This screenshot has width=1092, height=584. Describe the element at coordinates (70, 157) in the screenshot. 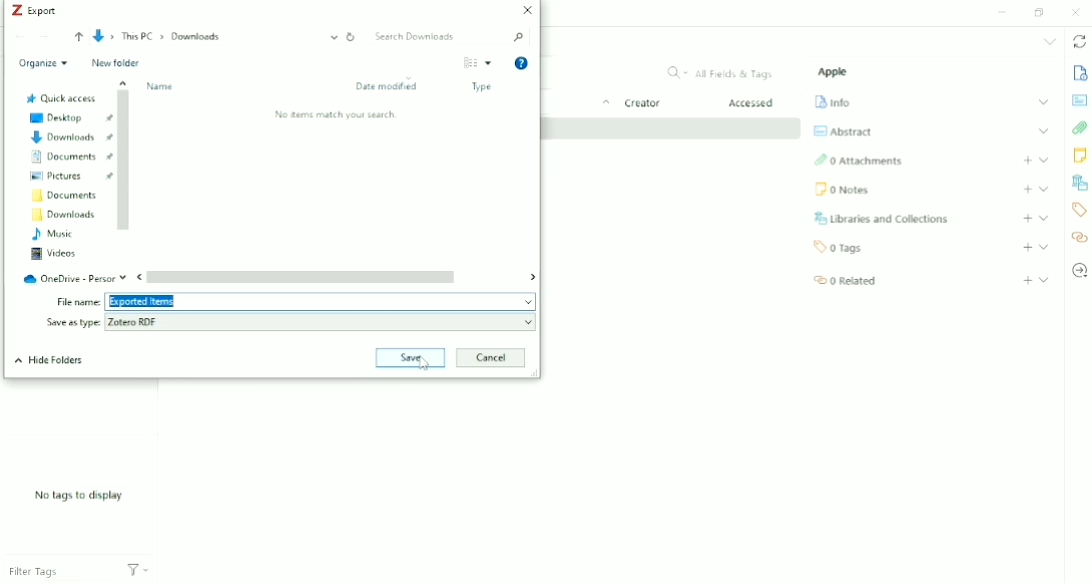

I see `Documents` at that location.